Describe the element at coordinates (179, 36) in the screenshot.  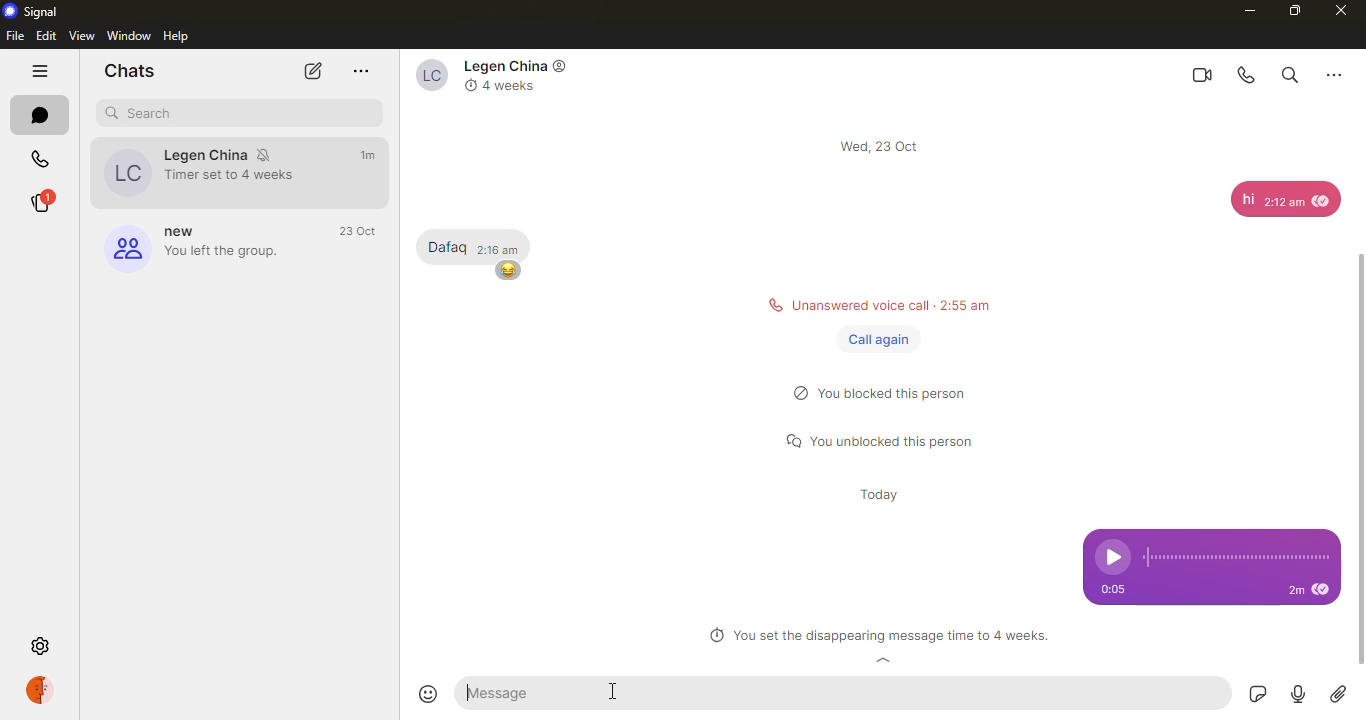
I see `help` at that location.